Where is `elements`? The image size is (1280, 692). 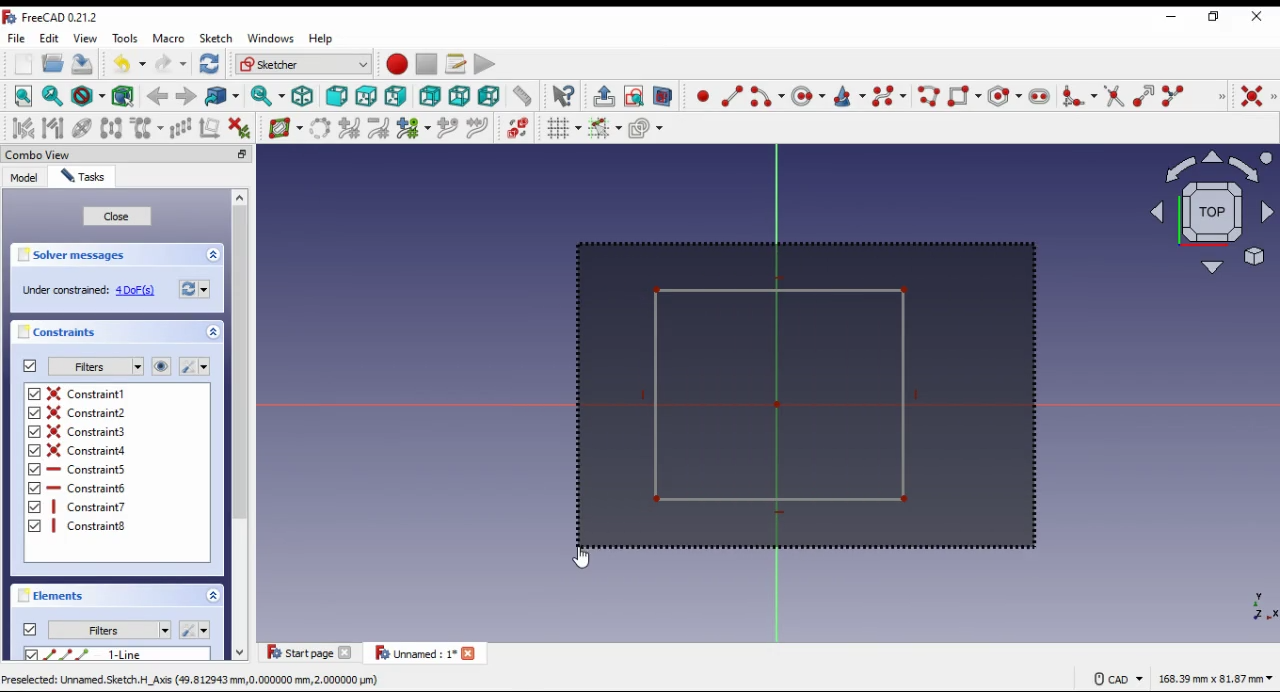 elements is located at coordinates (54, 596).